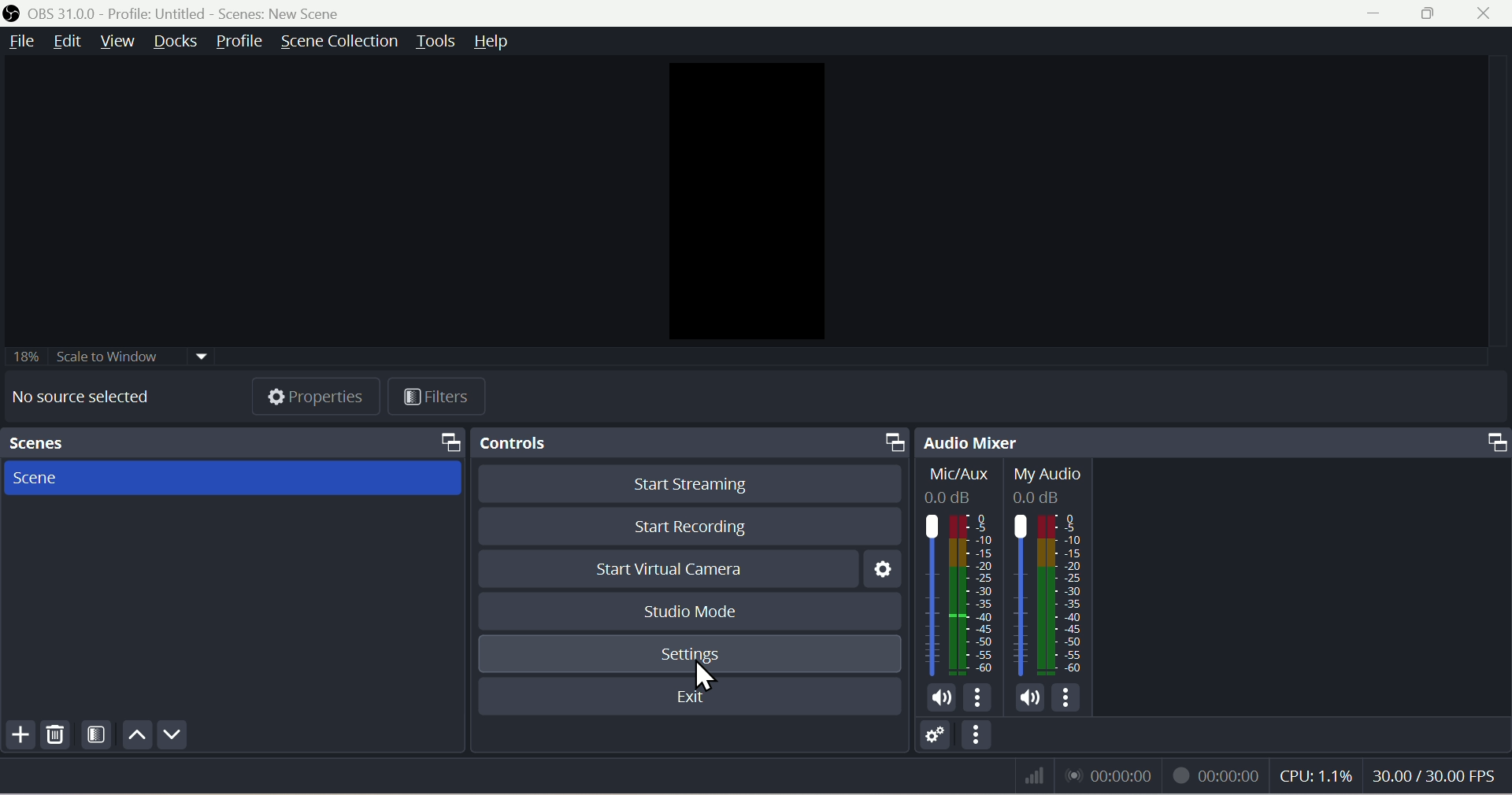 This screenshot has height=795, width=1512. What do you see at coordinates (1069, 698) in the screenshot?
I see `Options` at bounding box center [1069, 698].